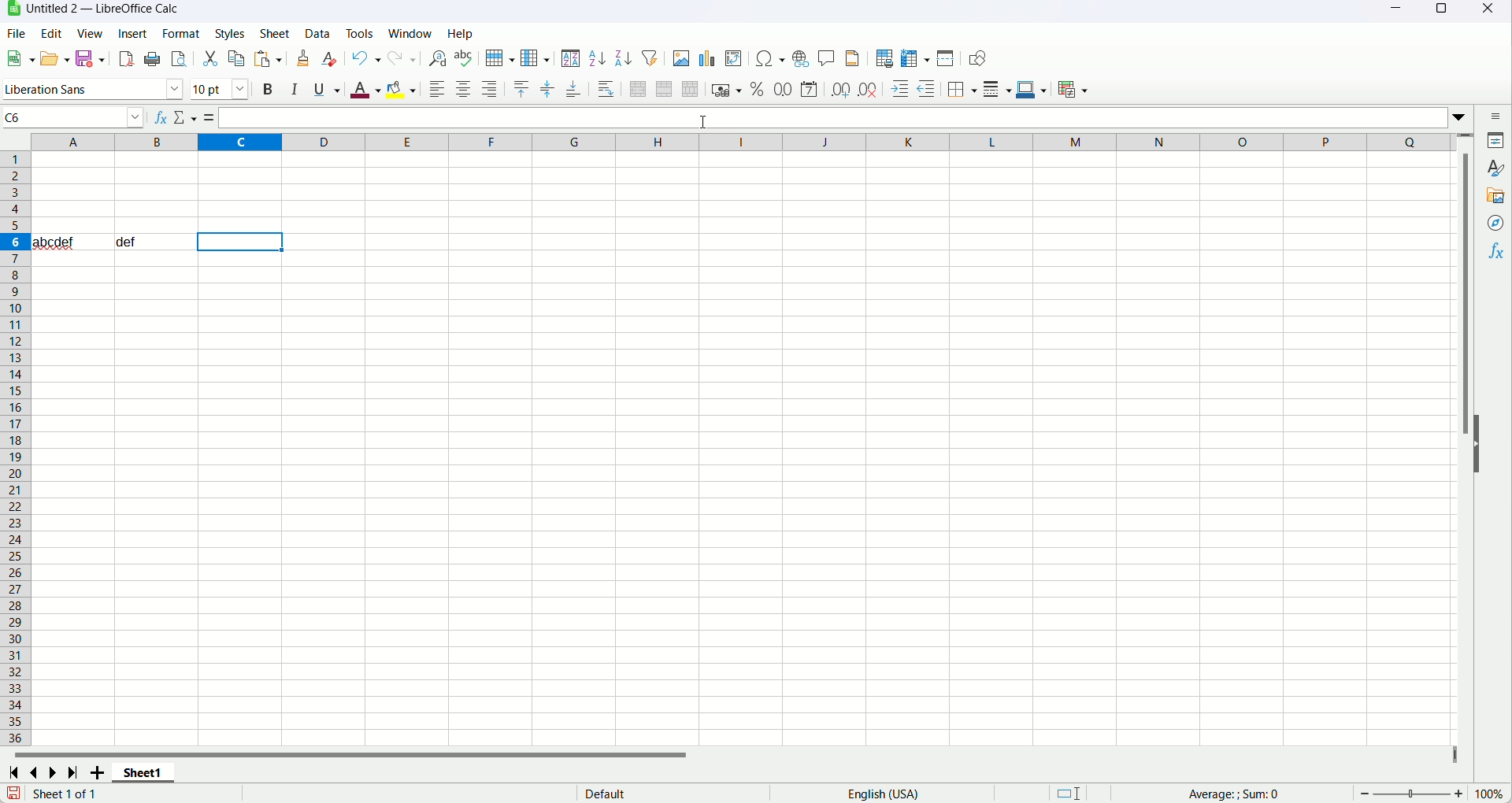 The width and height of the screenshot is (1512, 803). Describe the element at coordinates (996, 90) in the screenshot. I see `border style` at that location.